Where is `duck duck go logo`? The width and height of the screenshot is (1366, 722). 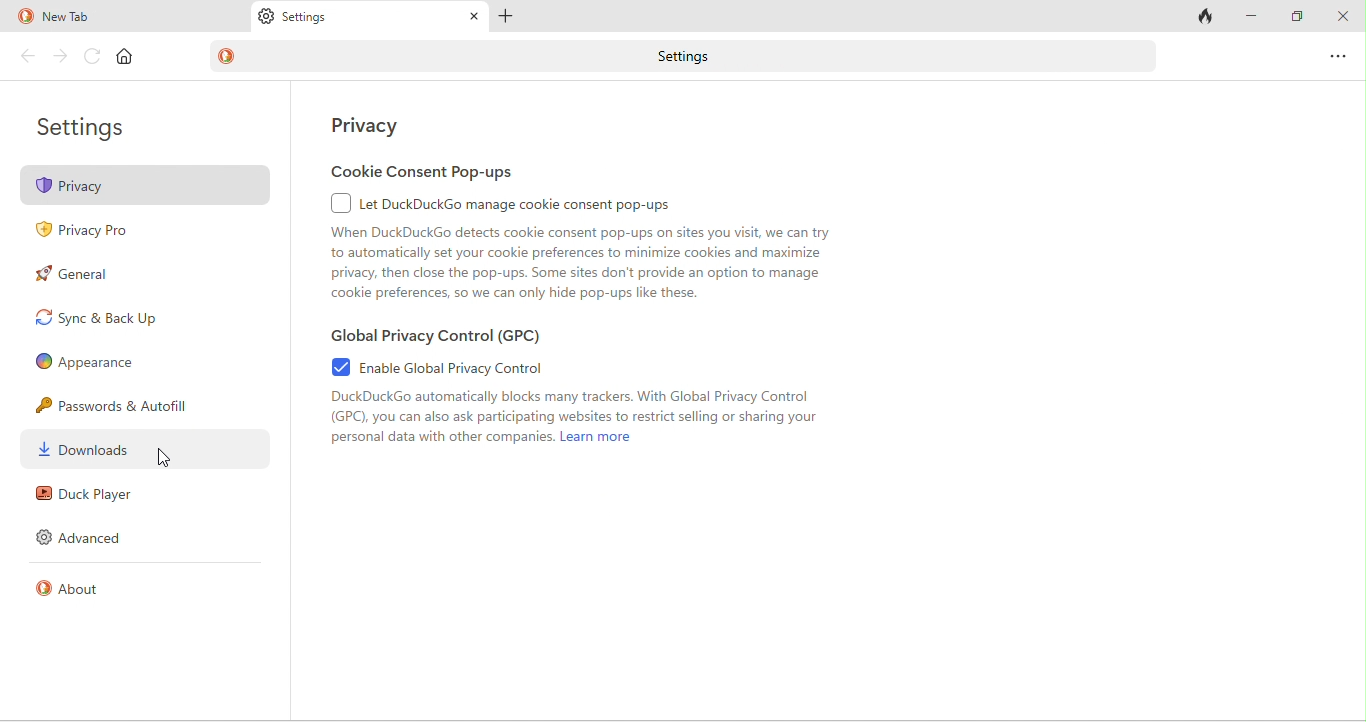 duck duck go logo is located at coordinates (240, 60).